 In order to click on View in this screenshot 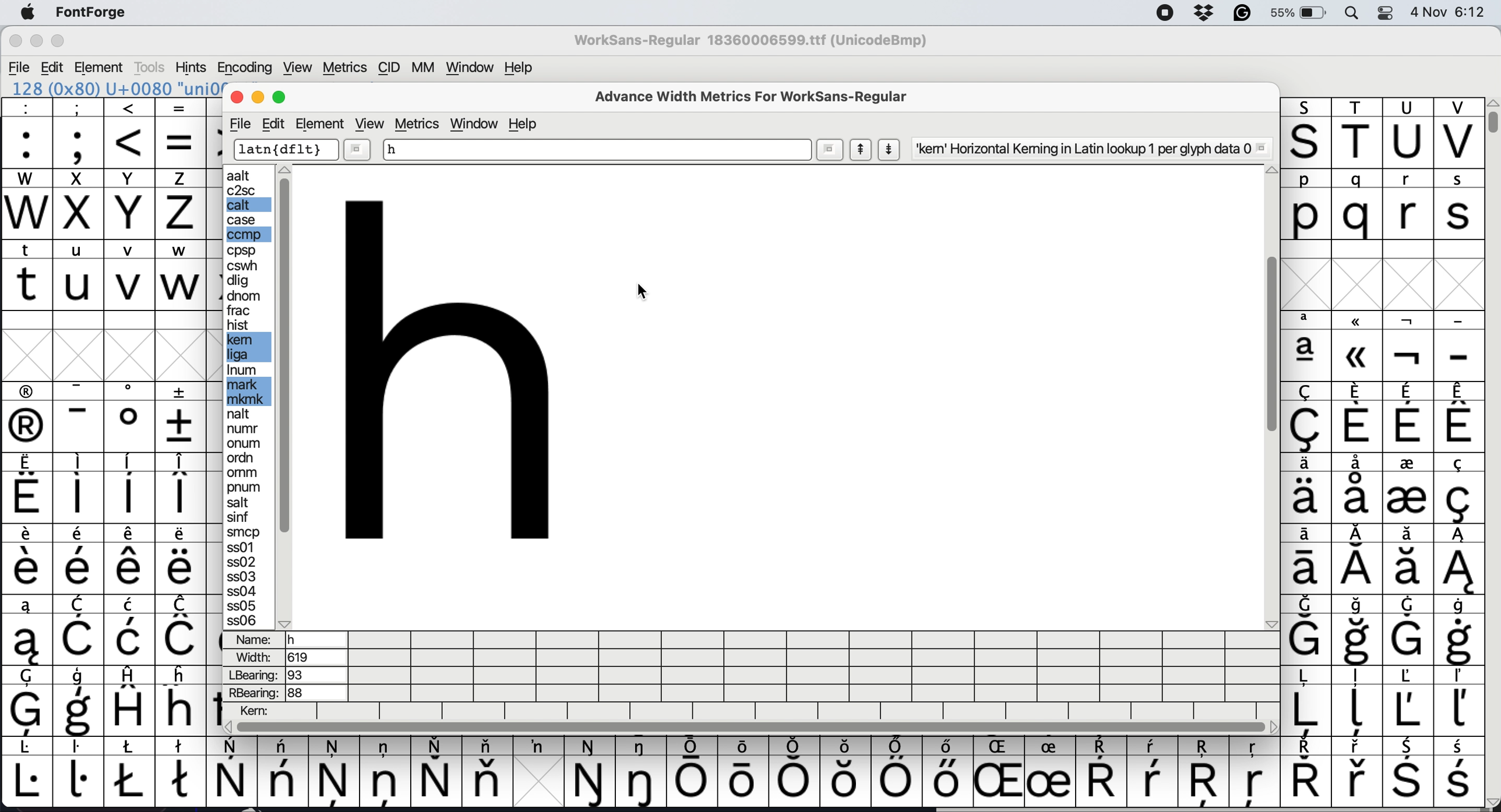, I will do `click(297, 67)`.